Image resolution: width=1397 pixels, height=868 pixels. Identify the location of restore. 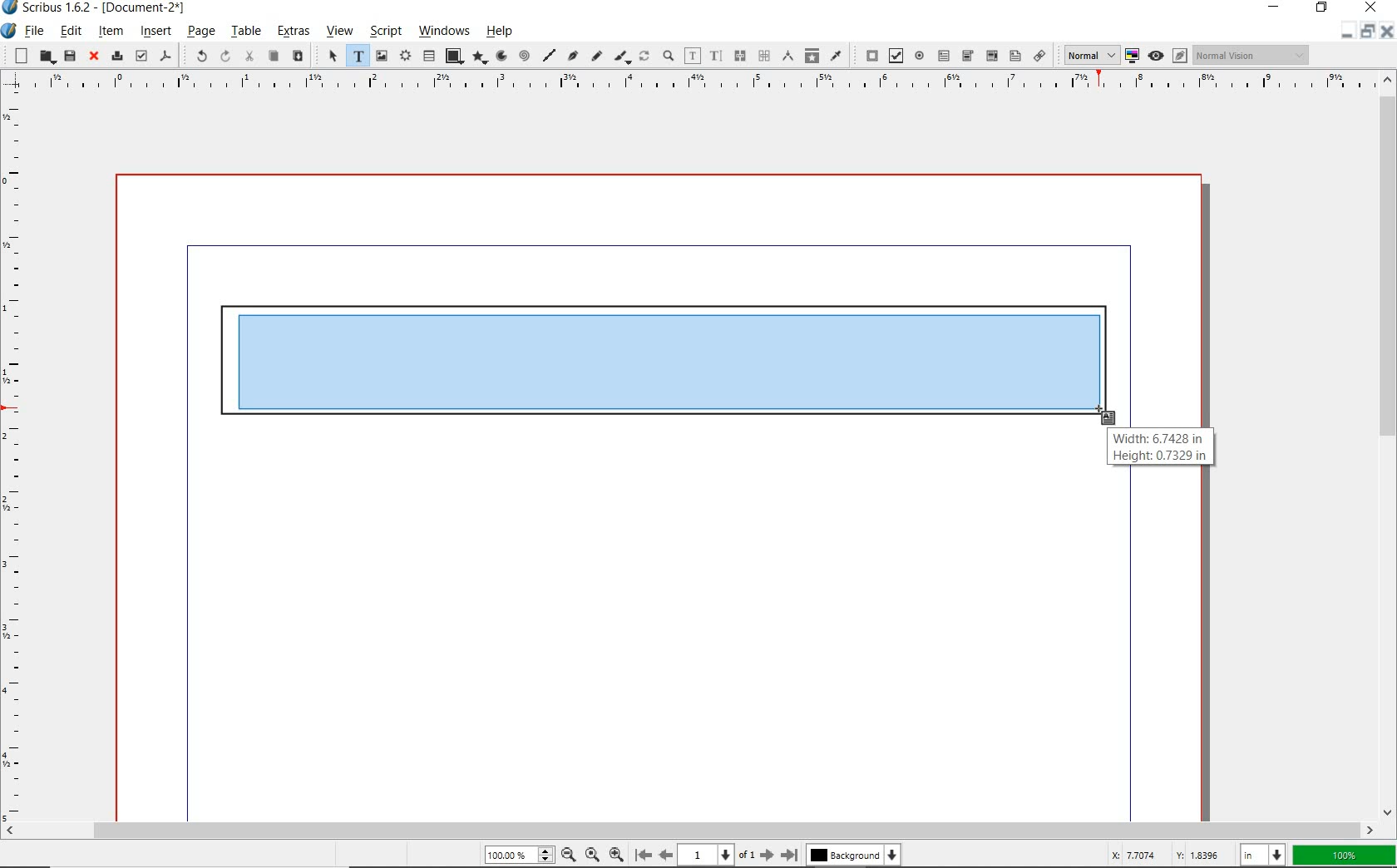
(1368, 35).